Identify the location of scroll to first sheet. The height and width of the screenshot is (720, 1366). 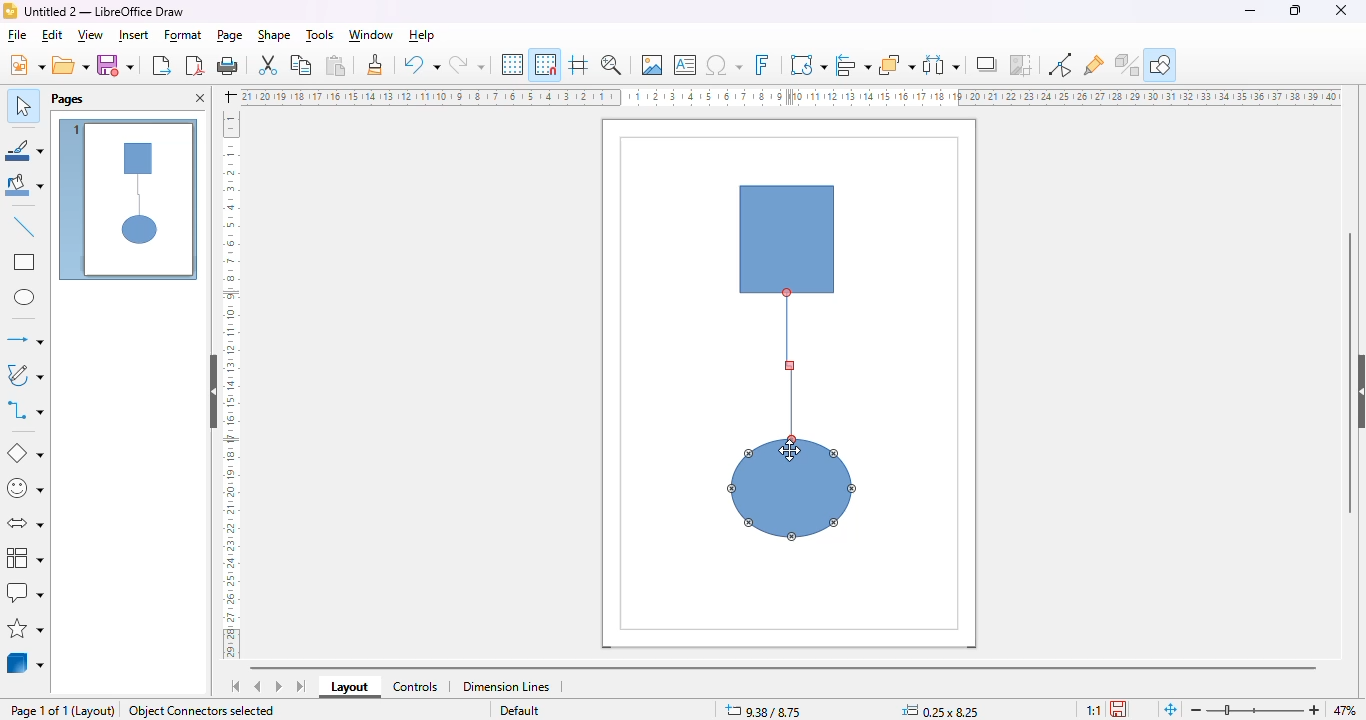
(236, 687).